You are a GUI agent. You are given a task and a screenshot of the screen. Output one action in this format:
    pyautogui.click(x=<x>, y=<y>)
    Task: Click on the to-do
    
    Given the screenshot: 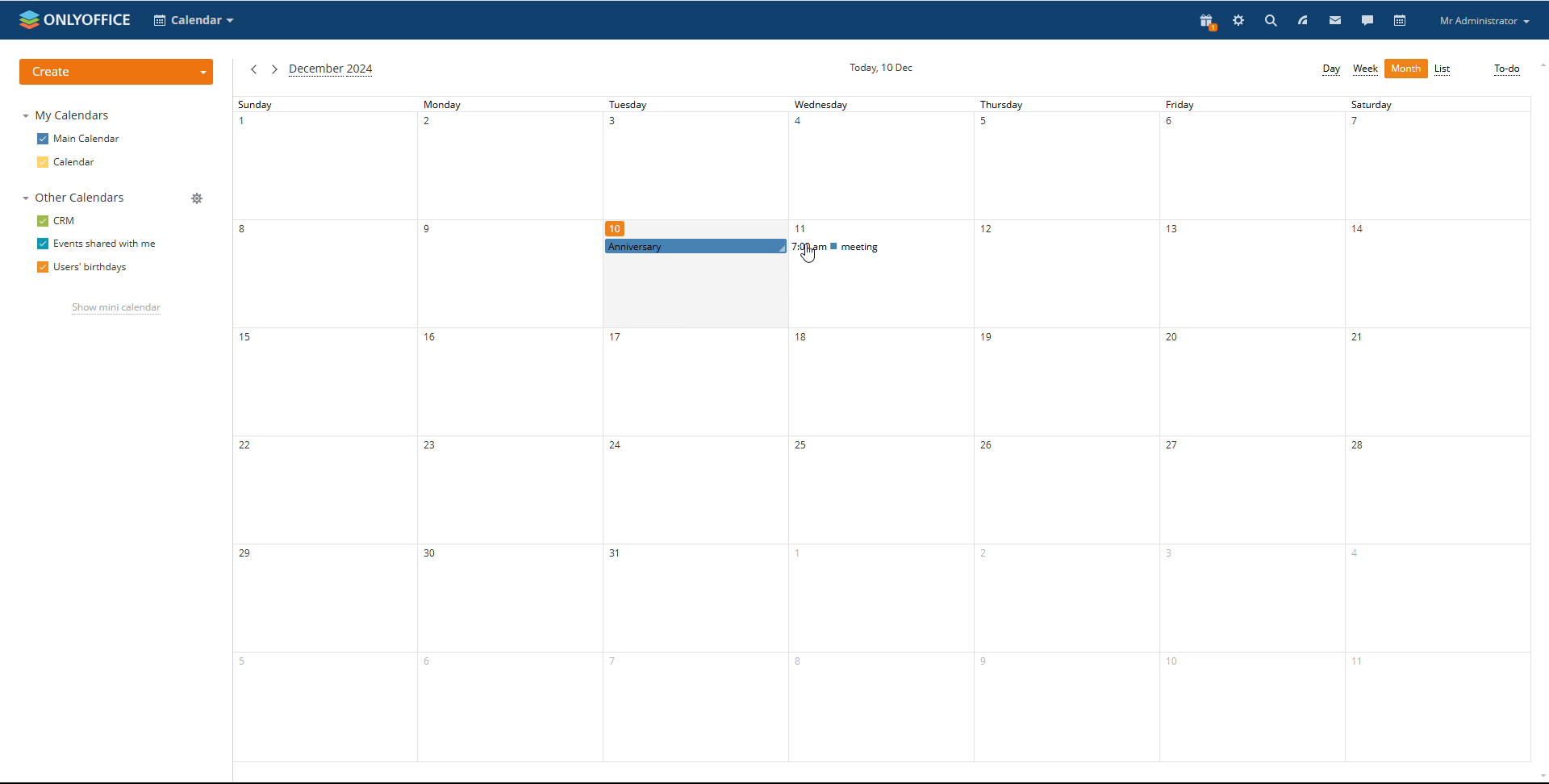 What is the action you would take?
    pyautogui.click(x=1507, y=69)
    